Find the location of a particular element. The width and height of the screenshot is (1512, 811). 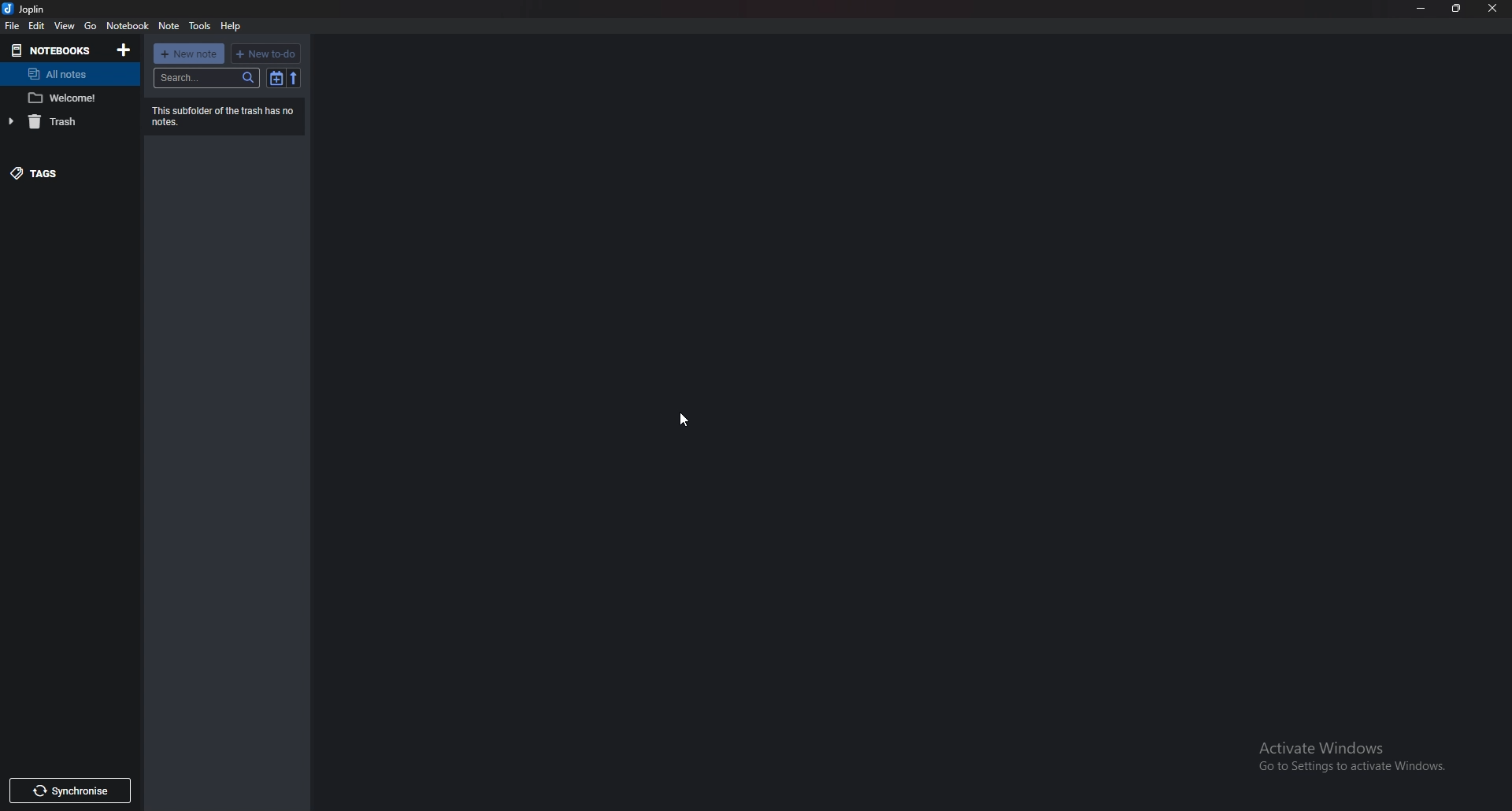

All notes is located at coordinates (67, 73).